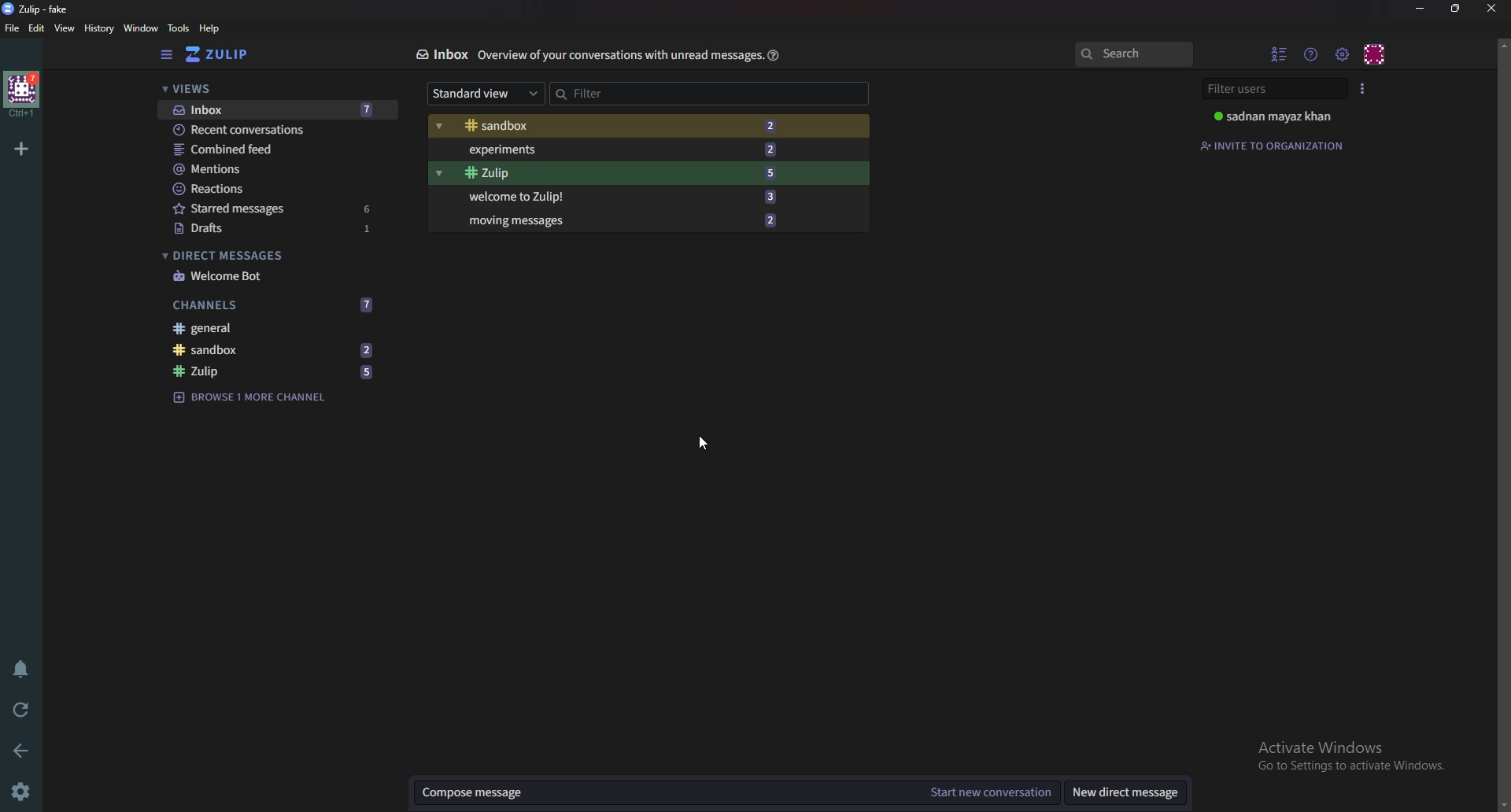  Describe the element at coordinates (1350, 749) in the screenshot. I see `Activate Windows
Go to Settings to activate Windows.` at that location.